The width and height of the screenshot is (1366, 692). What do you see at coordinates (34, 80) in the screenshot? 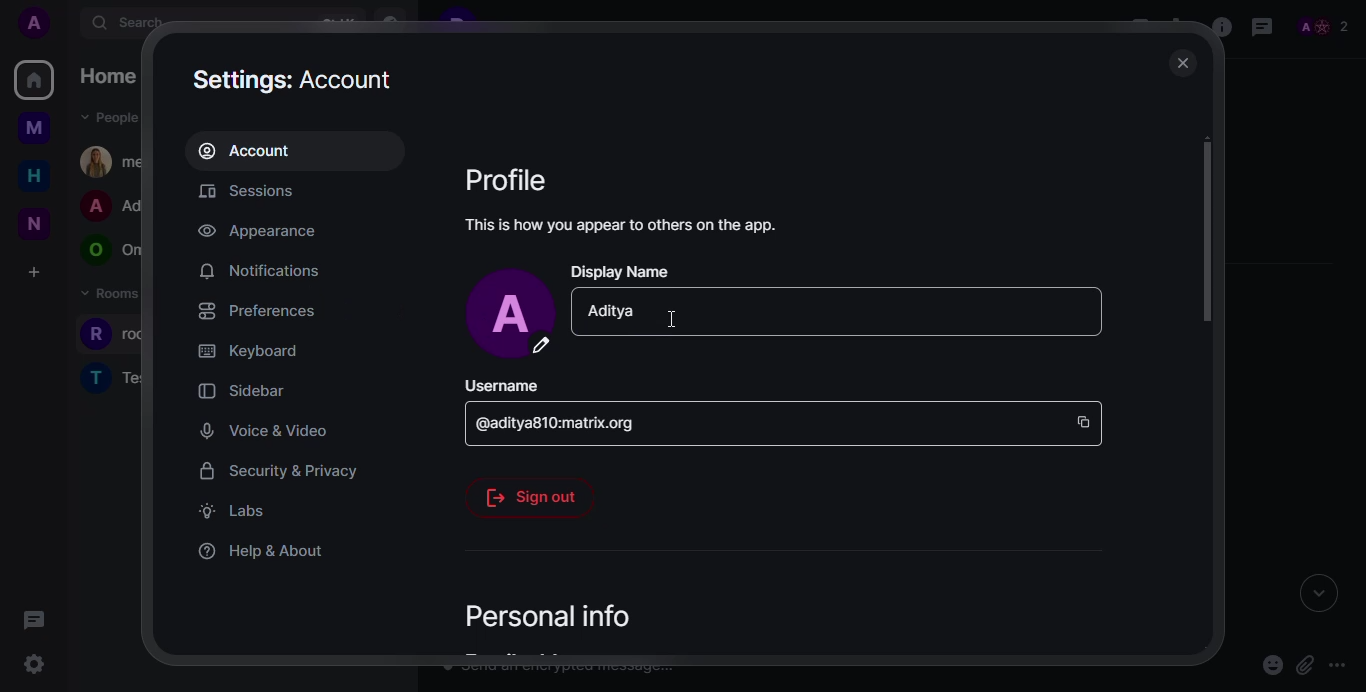
I see `home` at bounding box center [34, 80].